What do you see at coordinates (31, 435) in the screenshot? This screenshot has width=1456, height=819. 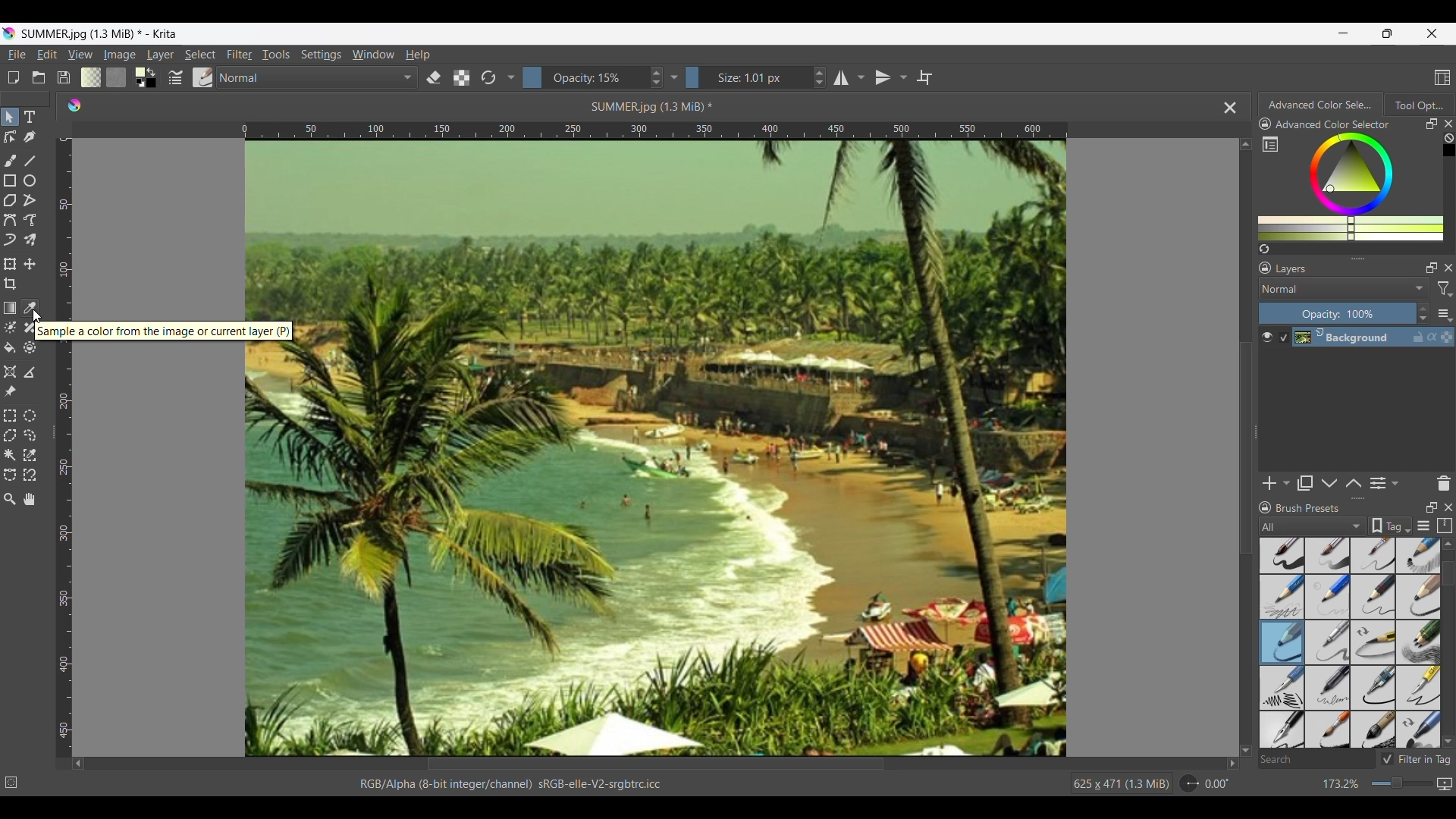 I see `Freehand selection tool` at bounding box center [31, 435].